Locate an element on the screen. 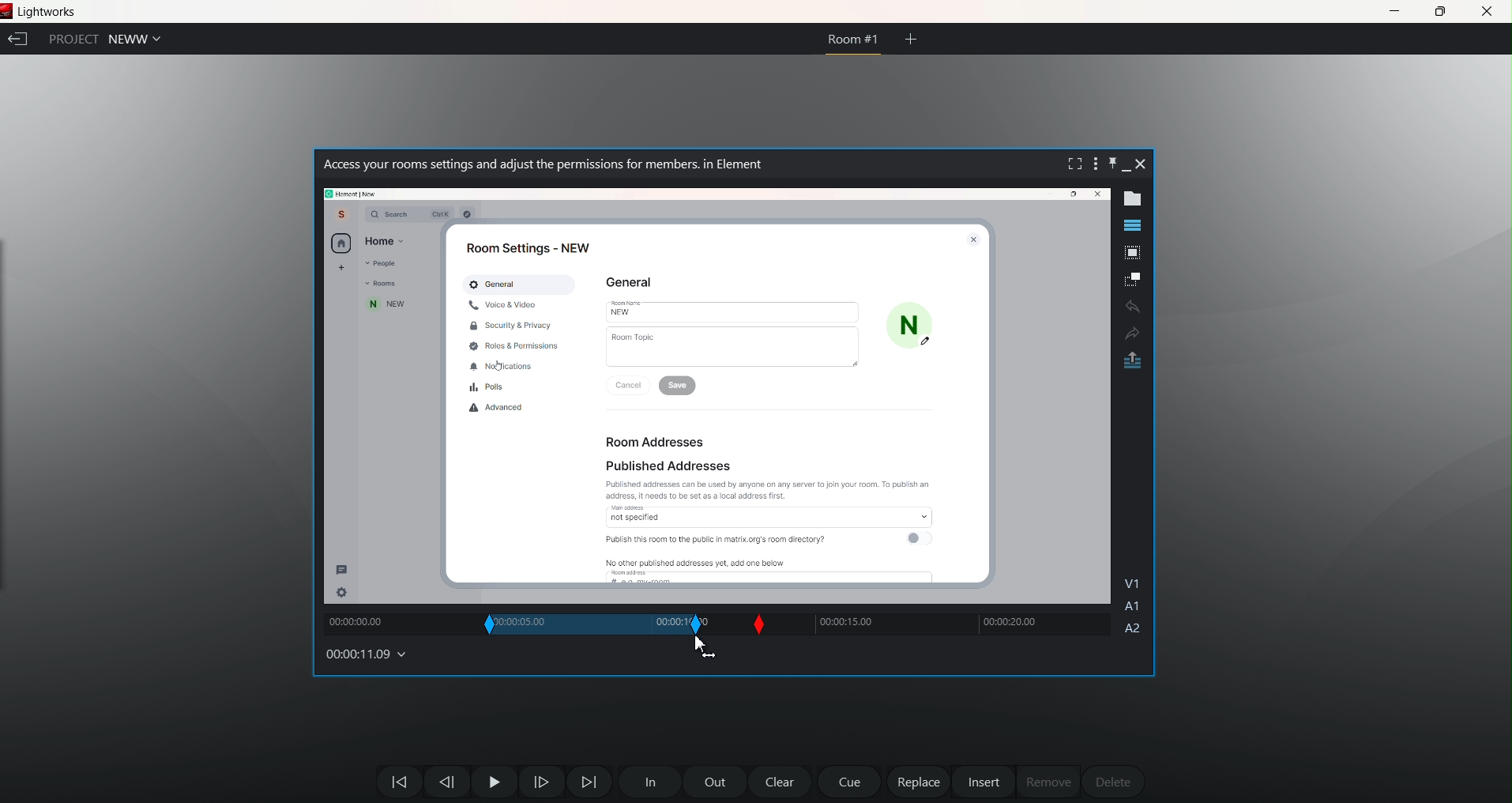 The height and width of the screenshot is (803, 1512). New is located at coordinates (735, 311).